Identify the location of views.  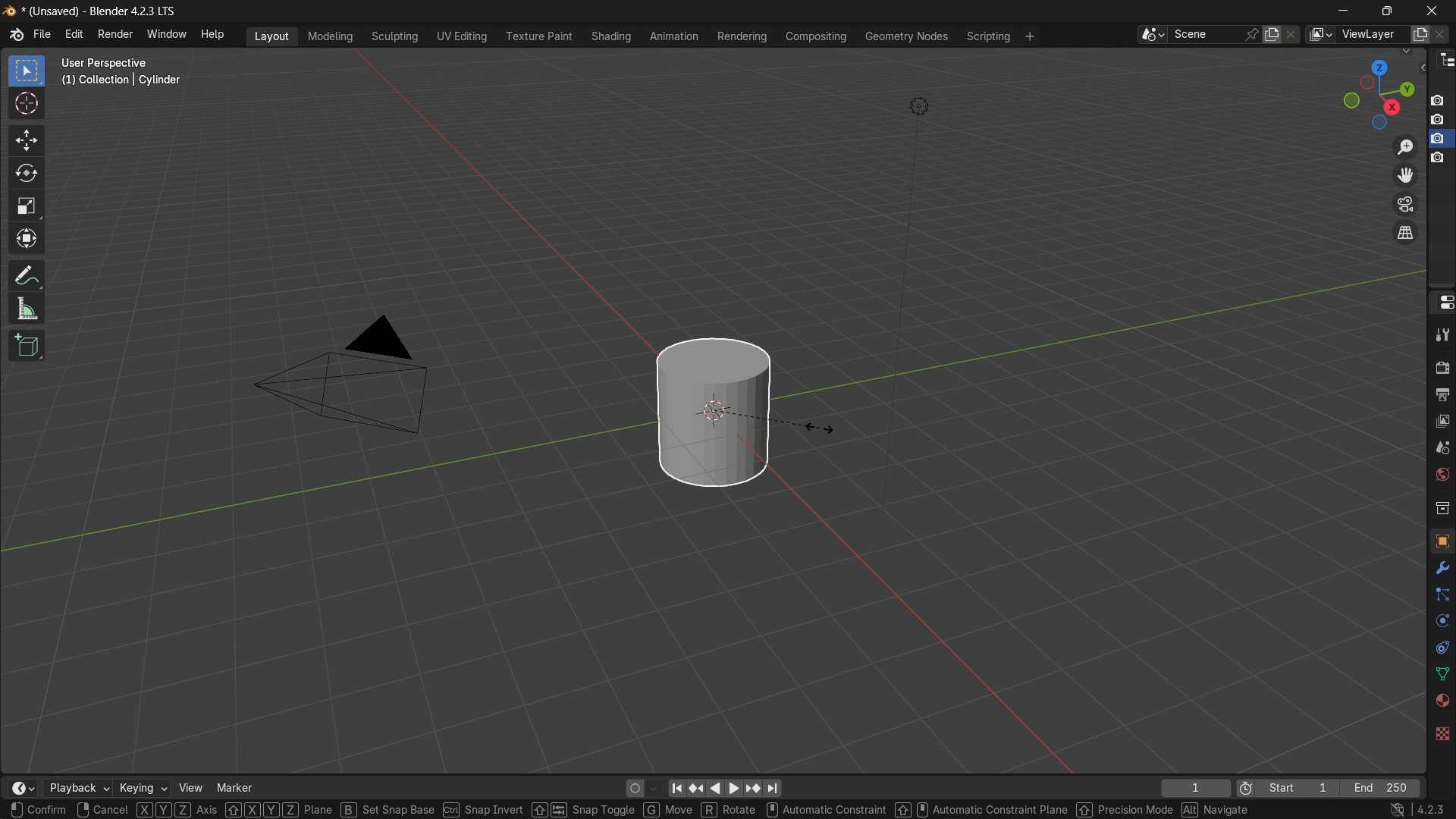
(1319, 35).